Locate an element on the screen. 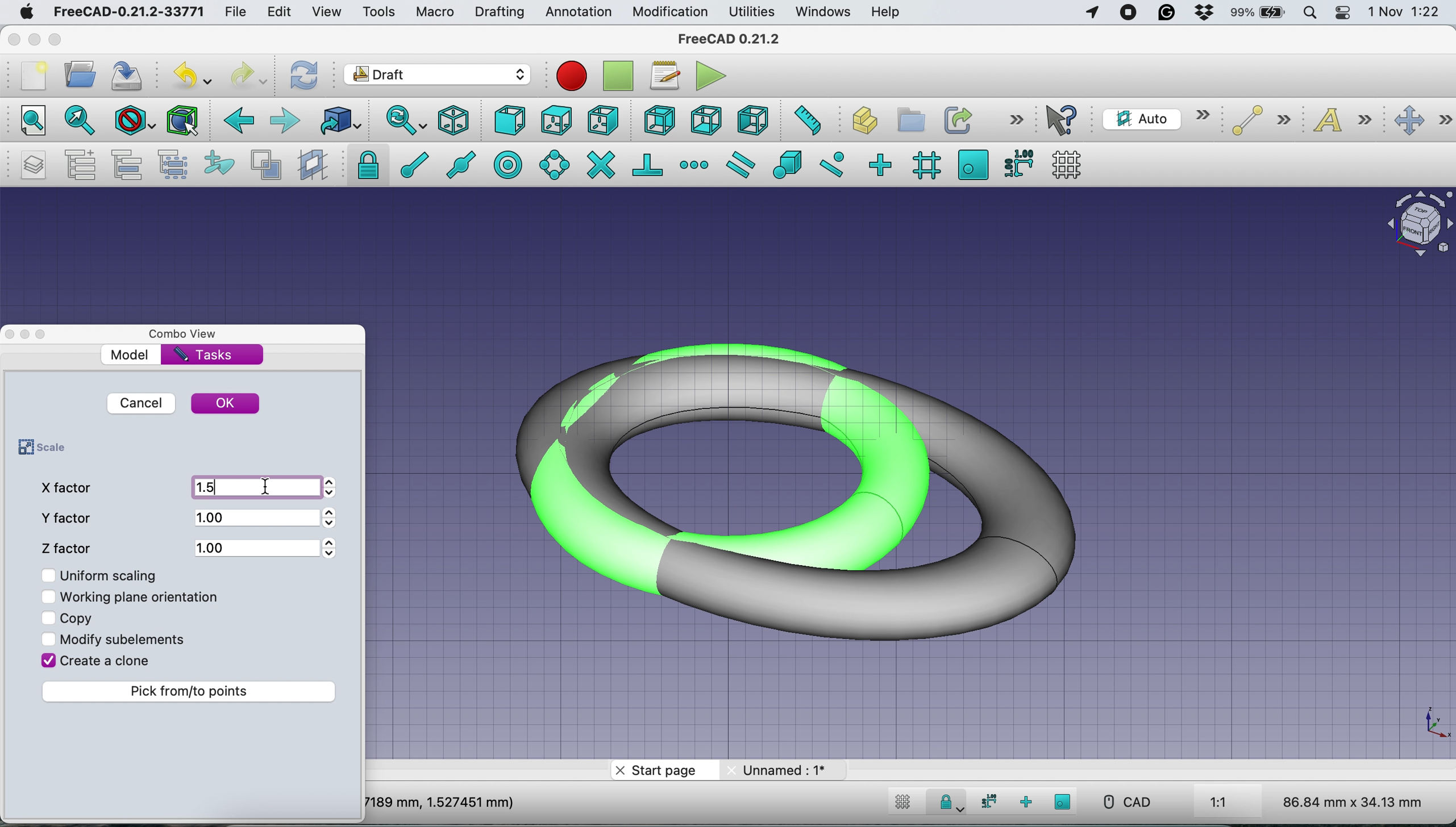 Image resolution: width=1456 pixels, height=827 pixels. modification is located at coordinates (671, 13).